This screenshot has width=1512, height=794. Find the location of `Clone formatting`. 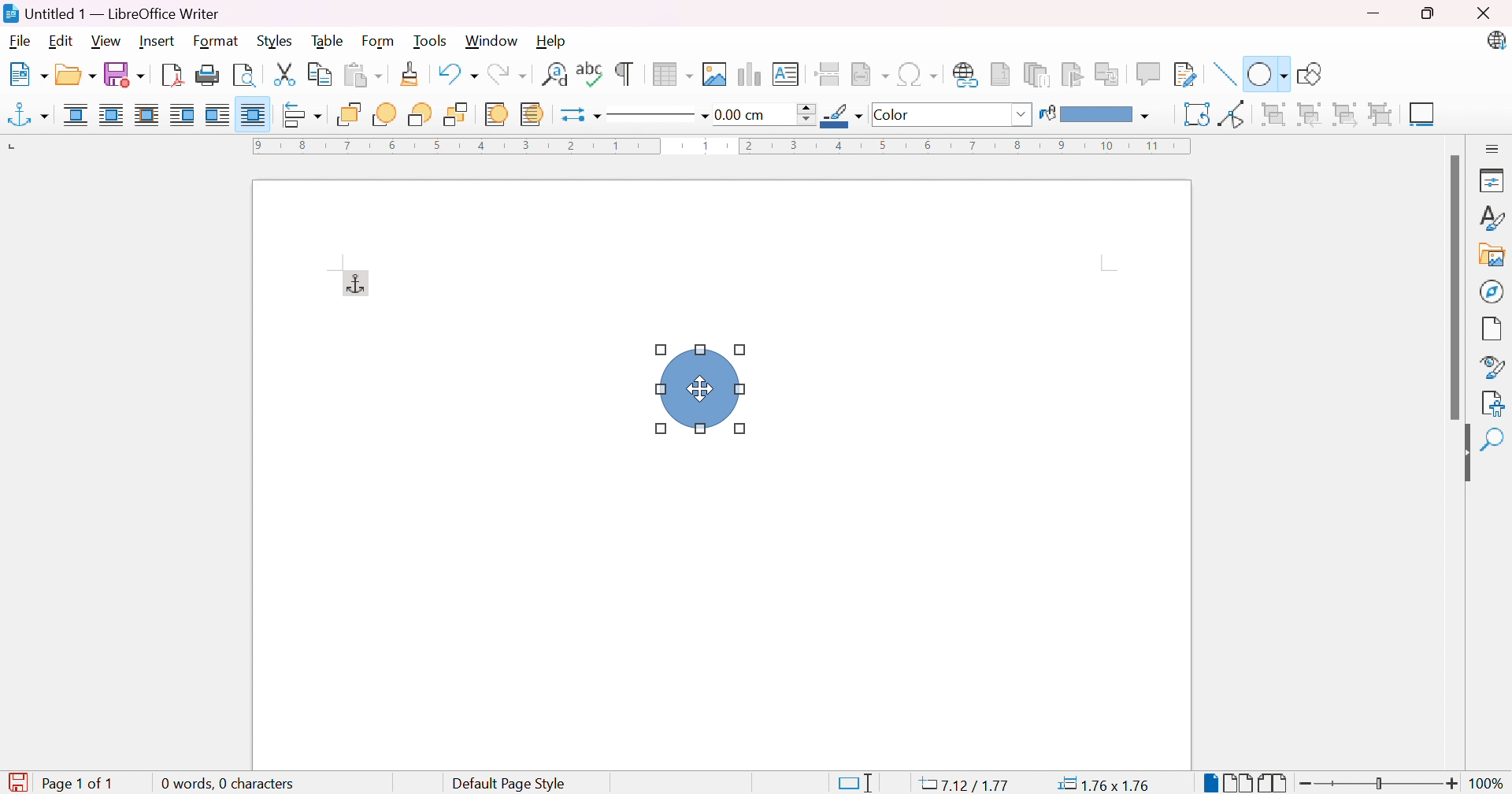

Clone formatting is located at coordinates (412, 74).